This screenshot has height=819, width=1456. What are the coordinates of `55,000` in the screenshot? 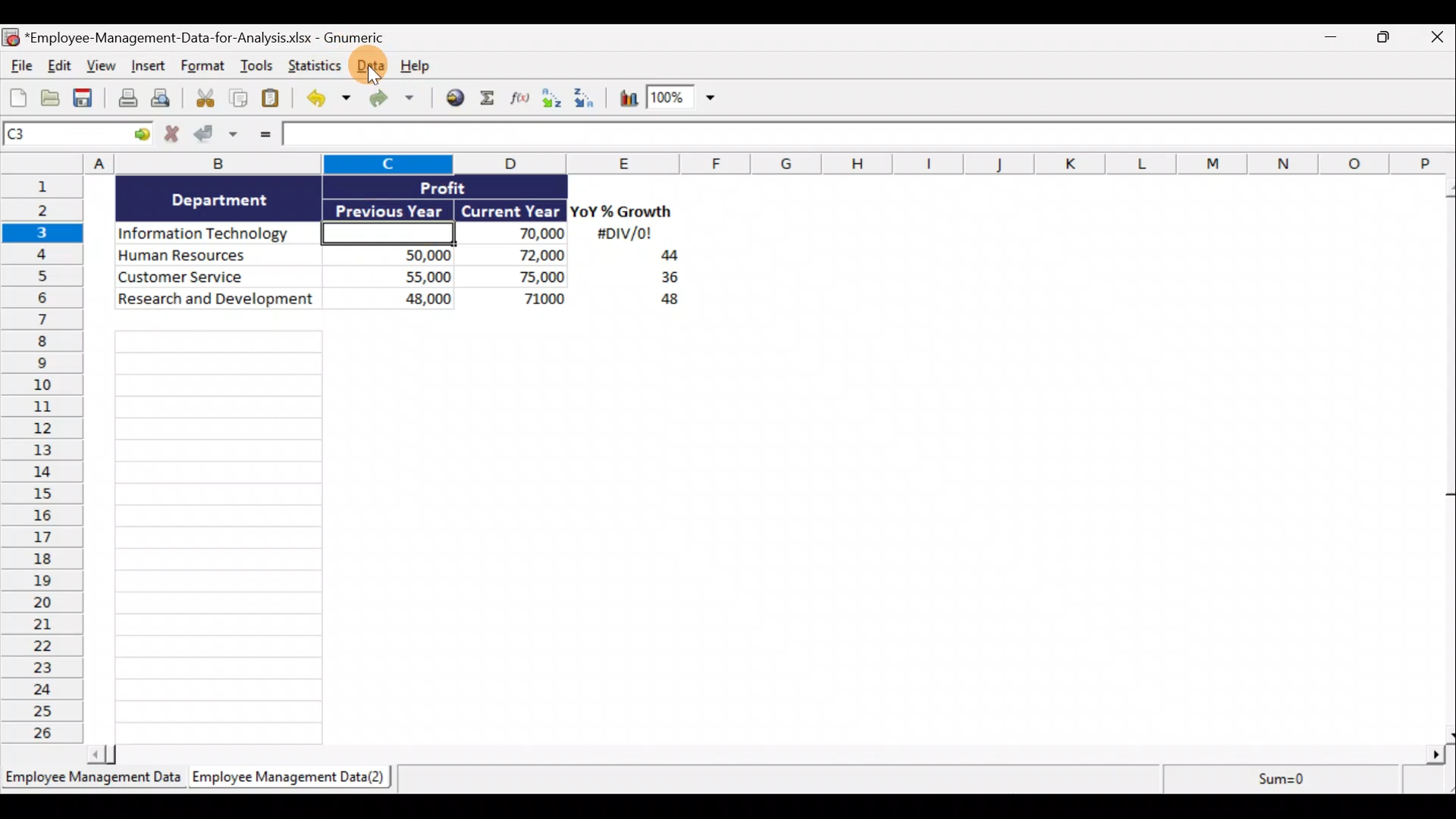 It's located at (397, 276).